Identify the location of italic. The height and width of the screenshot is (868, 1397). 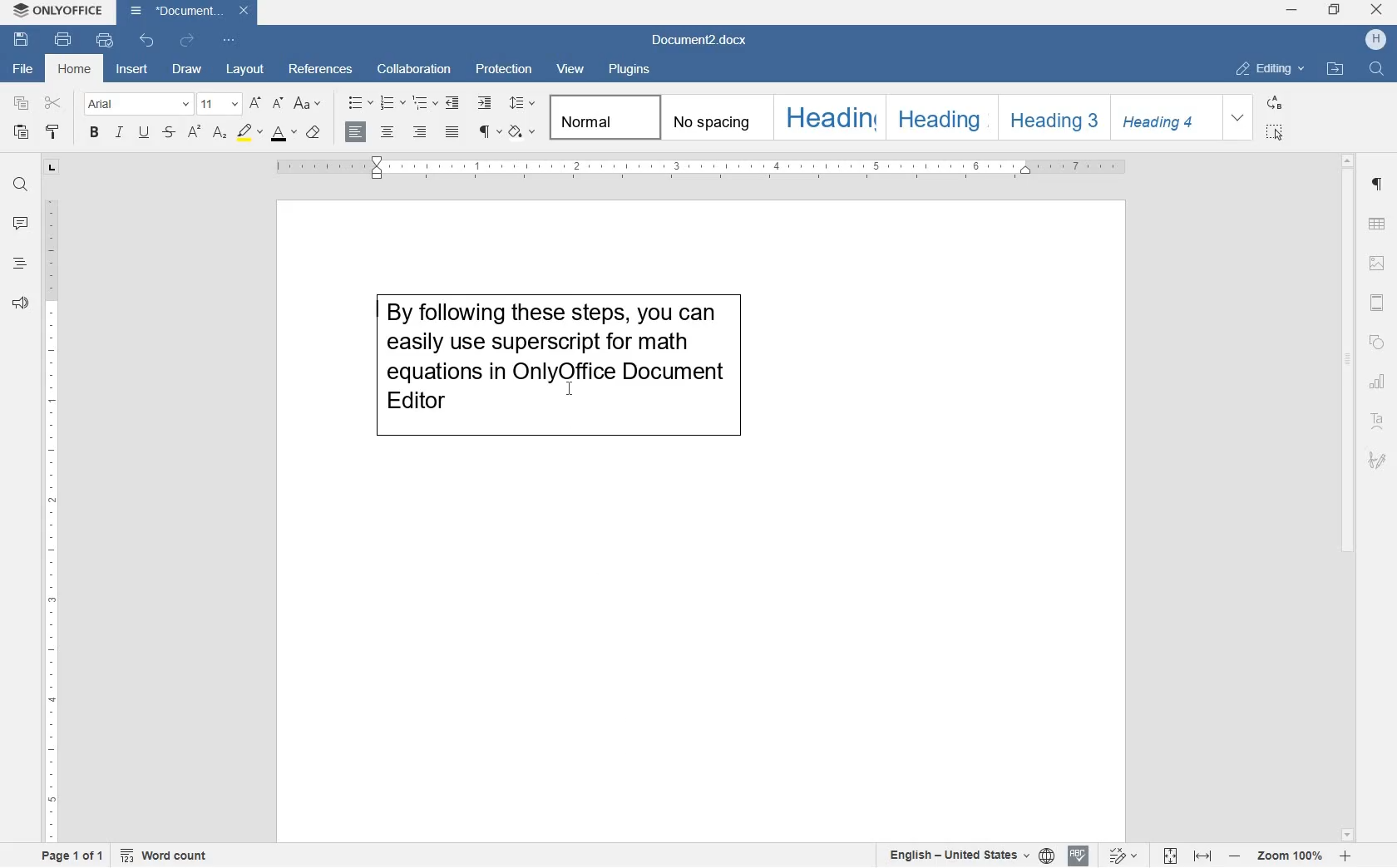
(118, 132).